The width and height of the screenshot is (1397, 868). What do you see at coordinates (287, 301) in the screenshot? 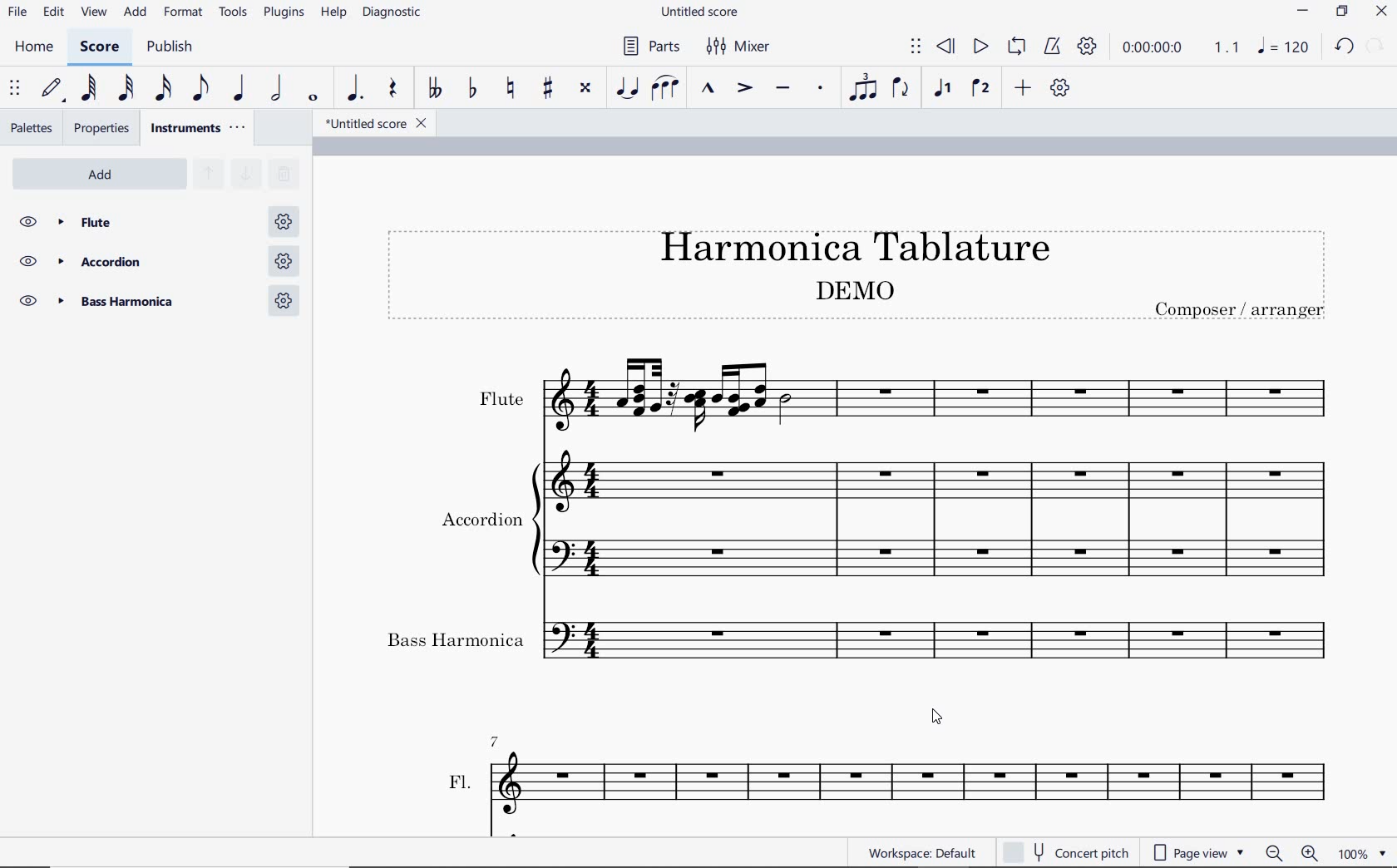
I see `Bass harmonica settings` at bounding box center [287, 301].